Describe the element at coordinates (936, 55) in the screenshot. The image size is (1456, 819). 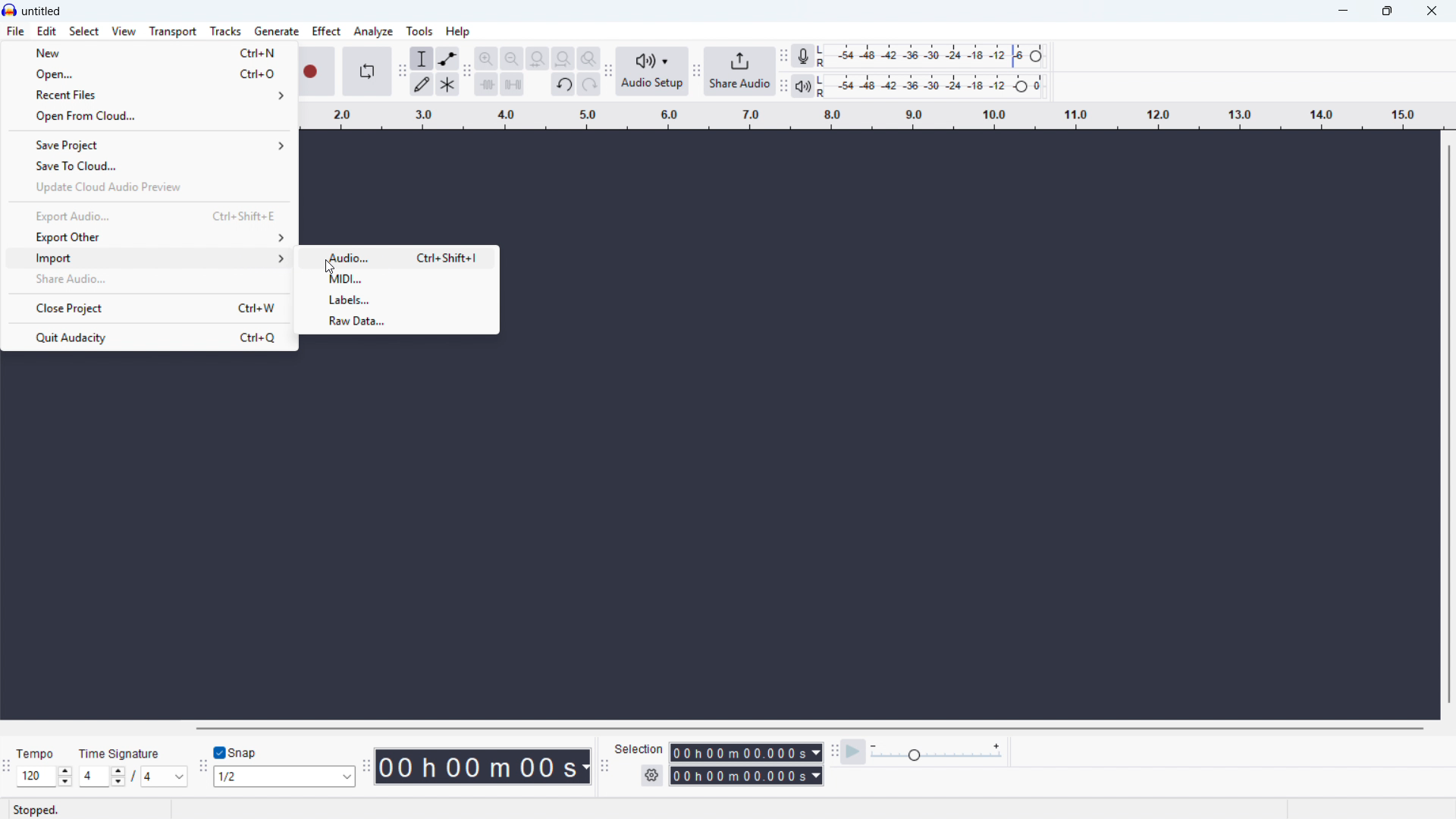
I see `Recording level ` at that location.